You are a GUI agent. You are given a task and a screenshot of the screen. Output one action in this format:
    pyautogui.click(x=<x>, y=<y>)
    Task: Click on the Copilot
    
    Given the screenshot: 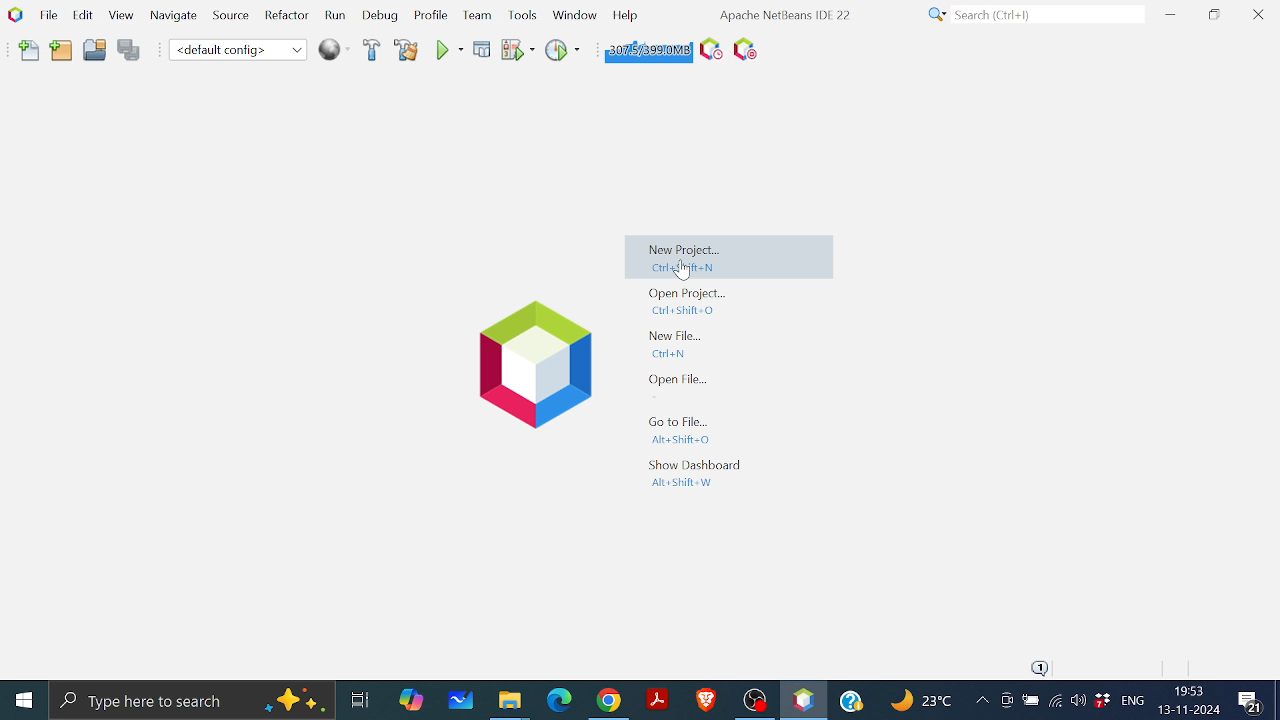 What is the action you would take?
    pyautogui.click(x=413, y=698)
    